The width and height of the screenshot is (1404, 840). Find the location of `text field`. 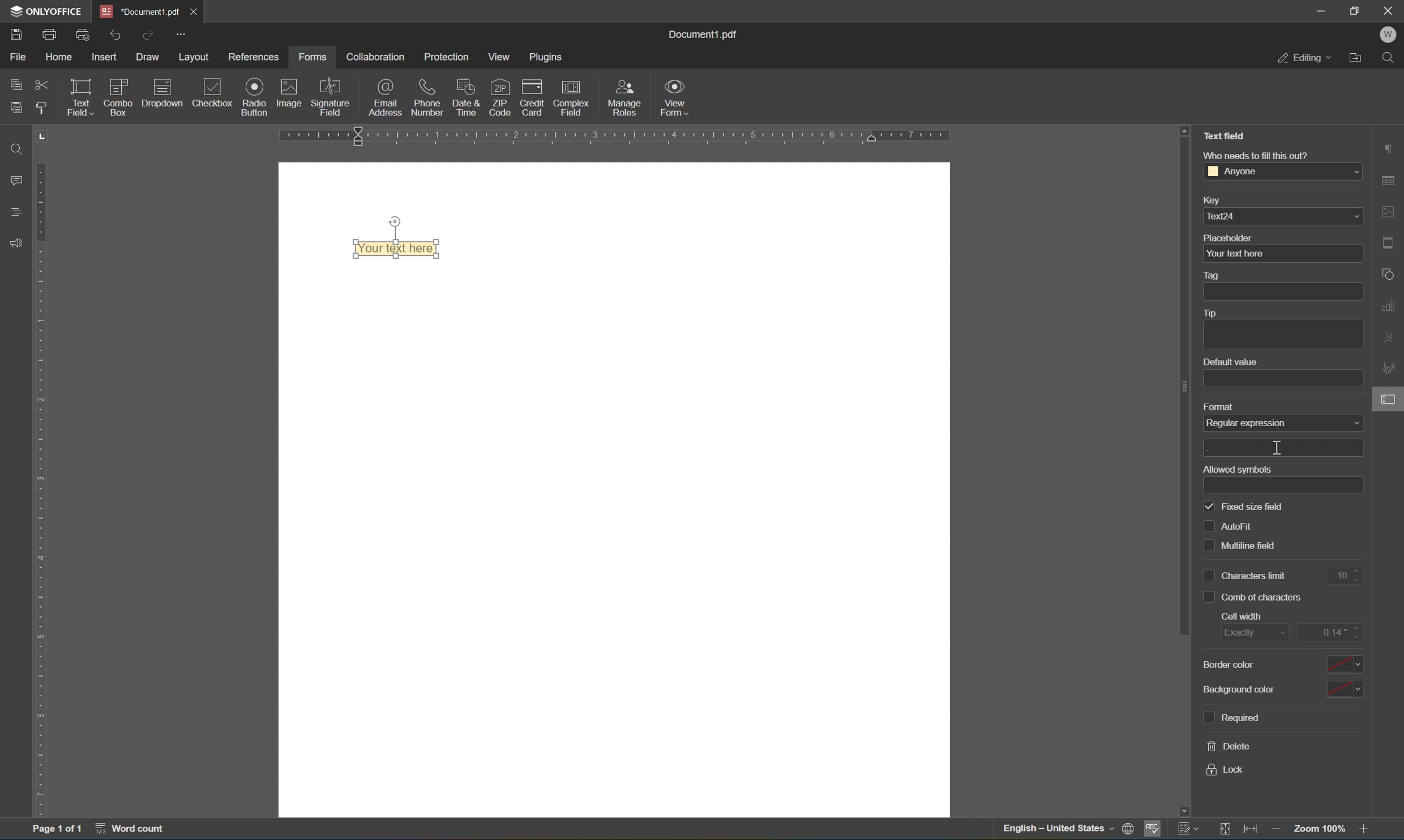

text field is located at coordinates (1228, 135).